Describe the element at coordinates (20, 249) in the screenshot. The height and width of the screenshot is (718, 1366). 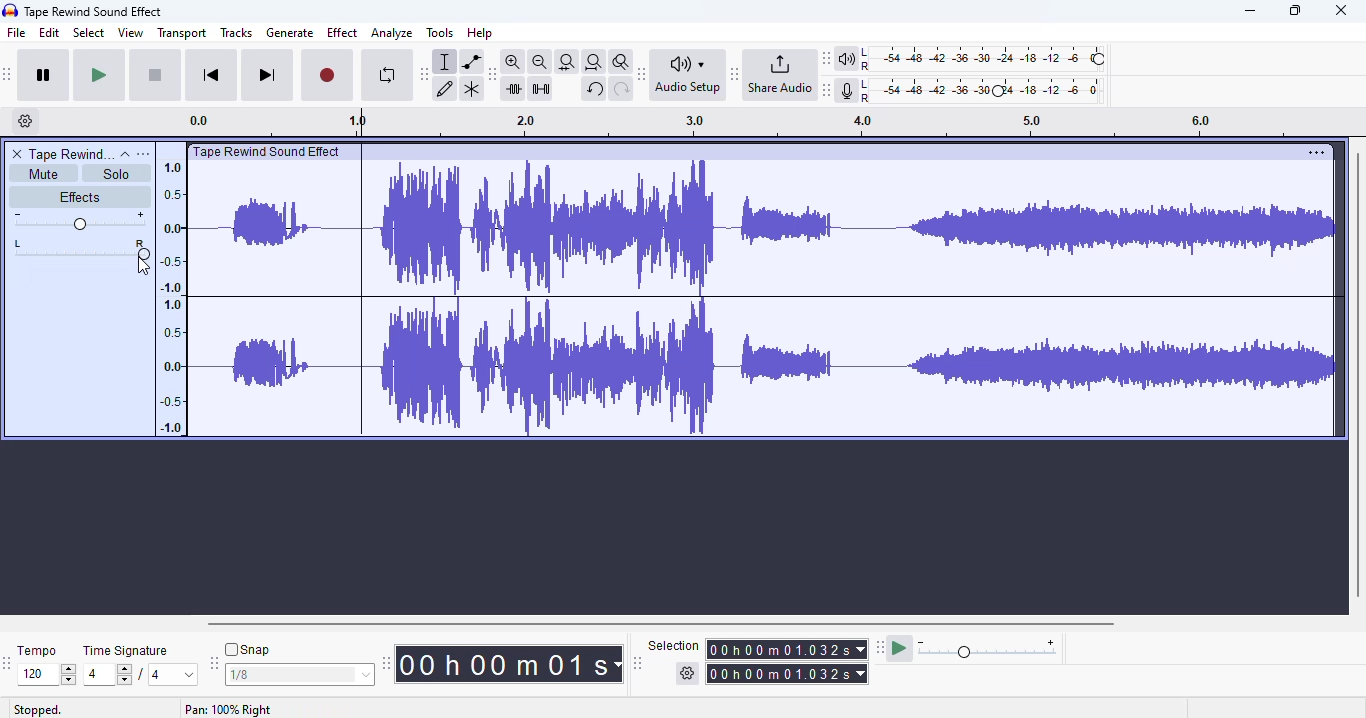
I see `pan left` at that location.